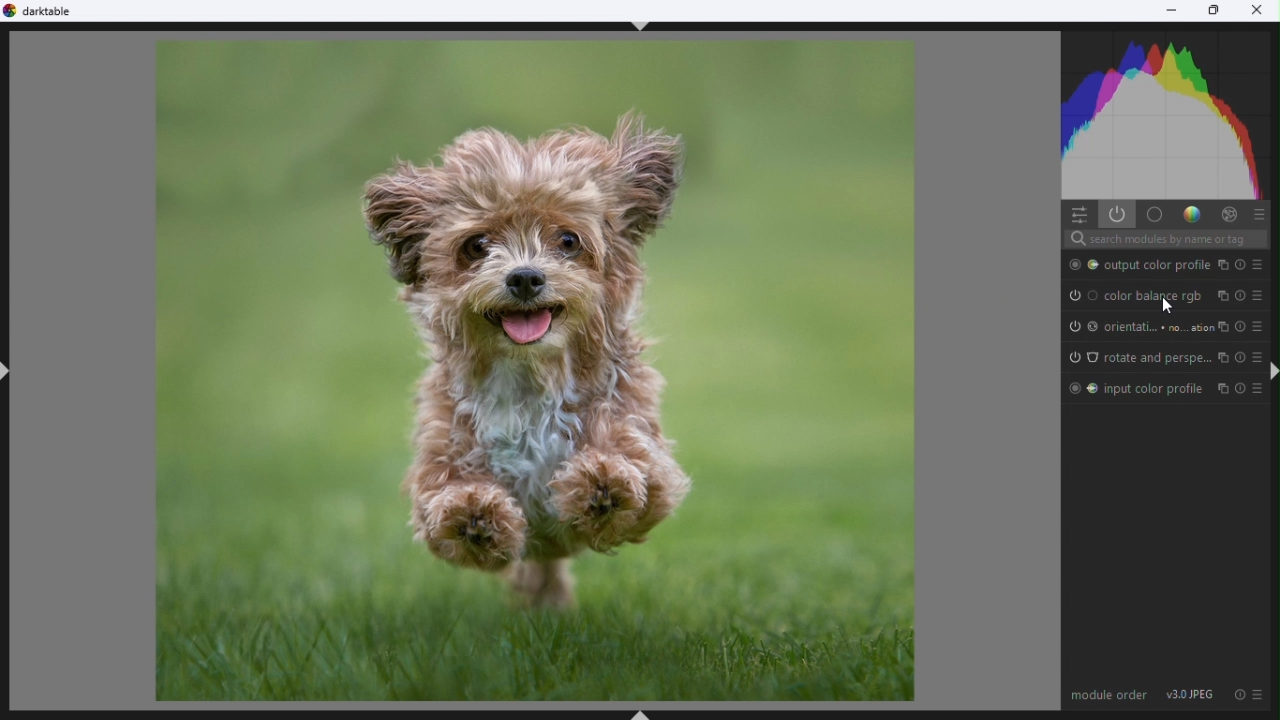 The height and width of the screenshot is (720, 1280). What do you see at coordinates (1189, 696) in the screenshot?
I see `v3.0 JPEG` at bounding box center [1189, 696].